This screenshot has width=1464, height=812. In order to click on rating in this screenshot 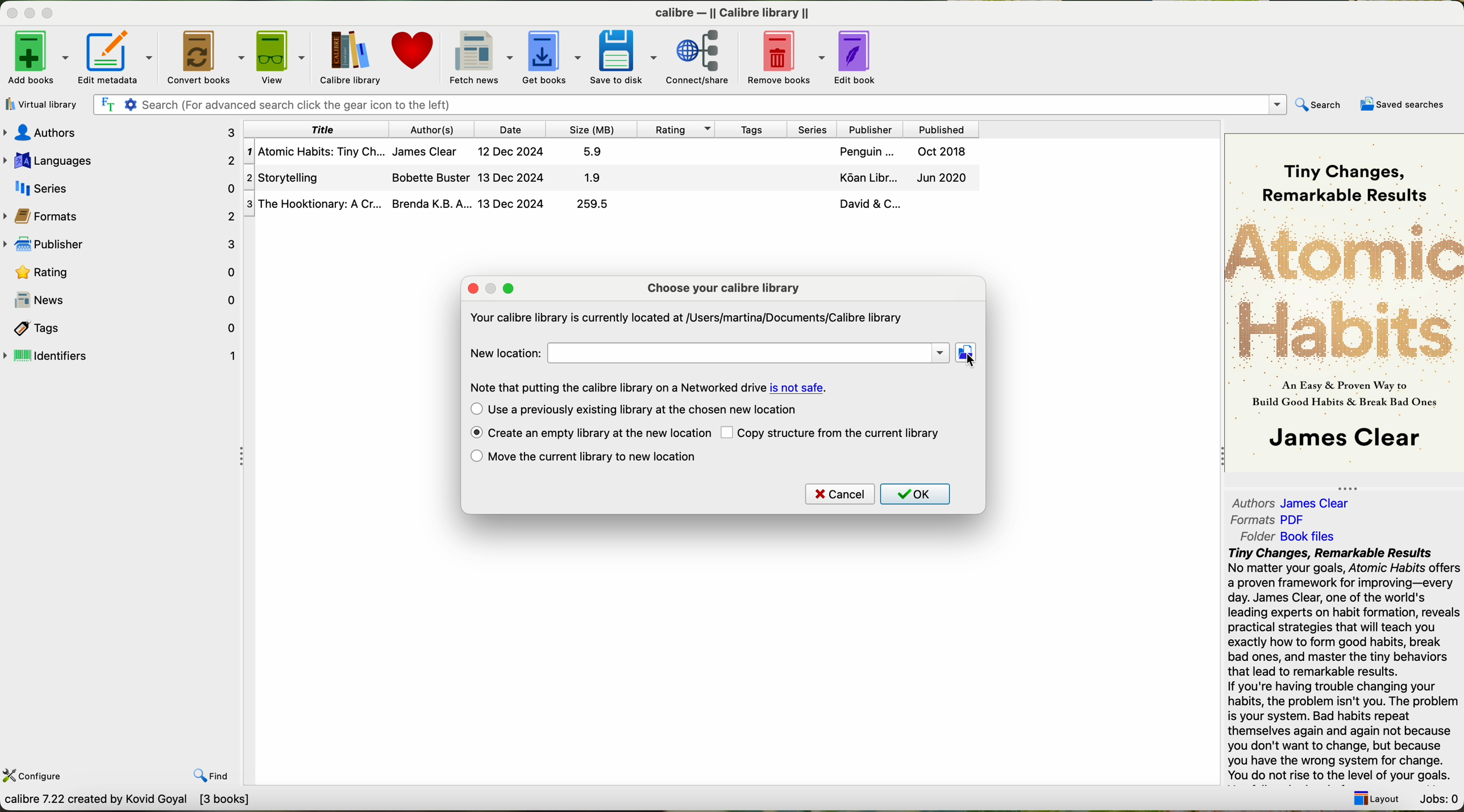, I will do `click(673, 128)`.